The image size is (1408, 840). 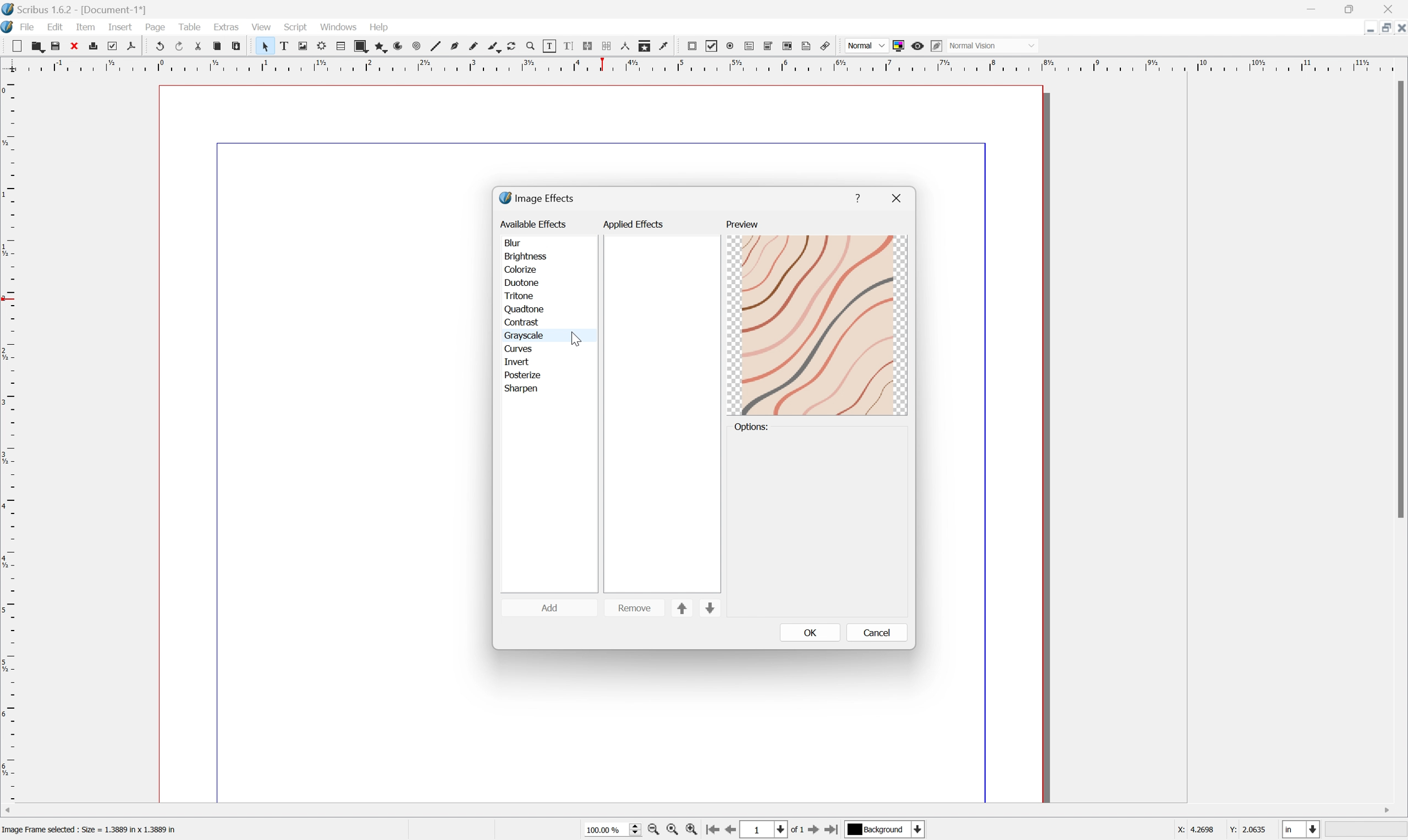 I want to click on Link text frames, so click(x=591, y=46).